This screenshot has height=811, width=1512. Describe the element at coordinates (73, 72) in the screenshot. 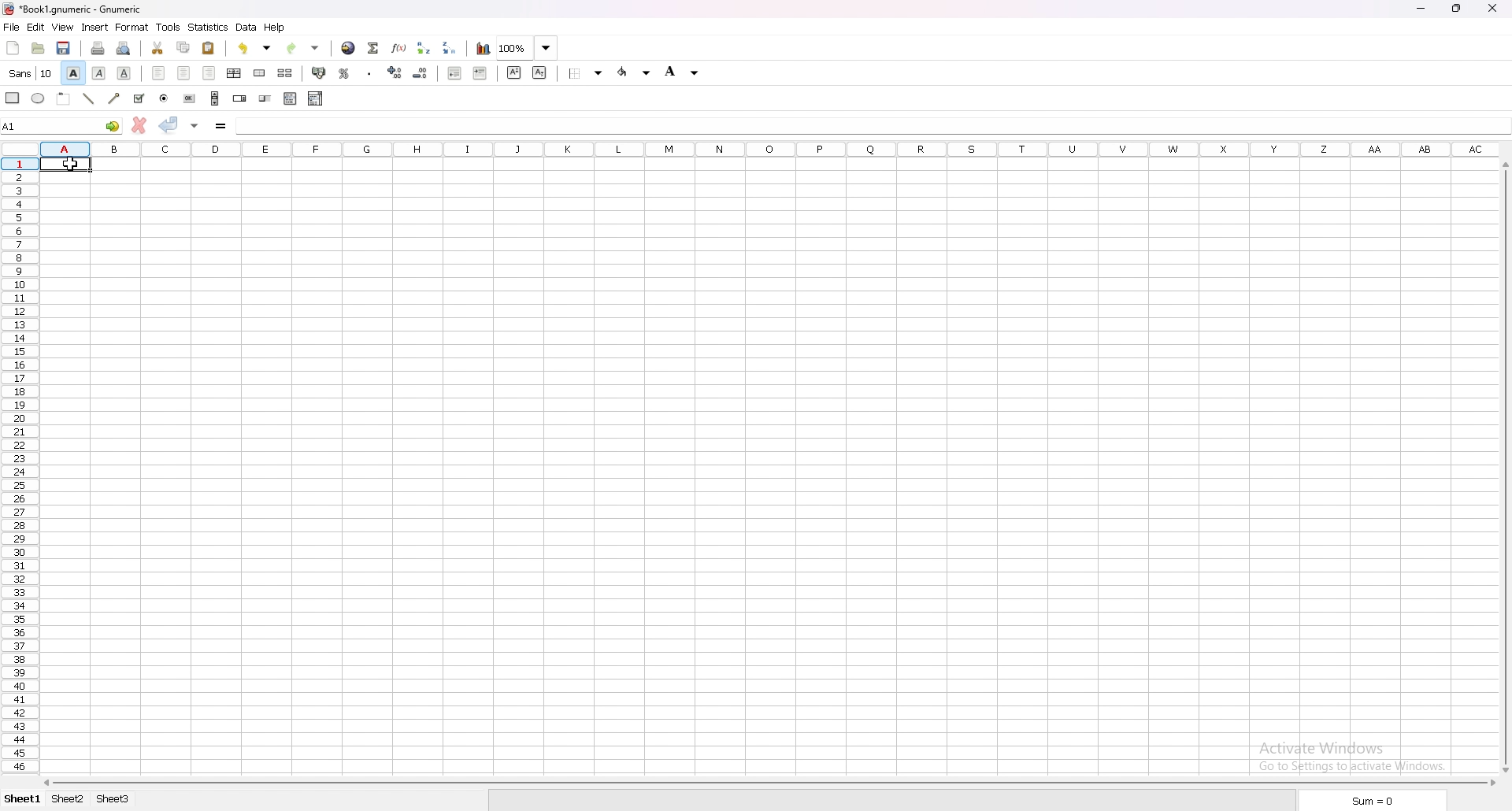

I see `bold` at that location.